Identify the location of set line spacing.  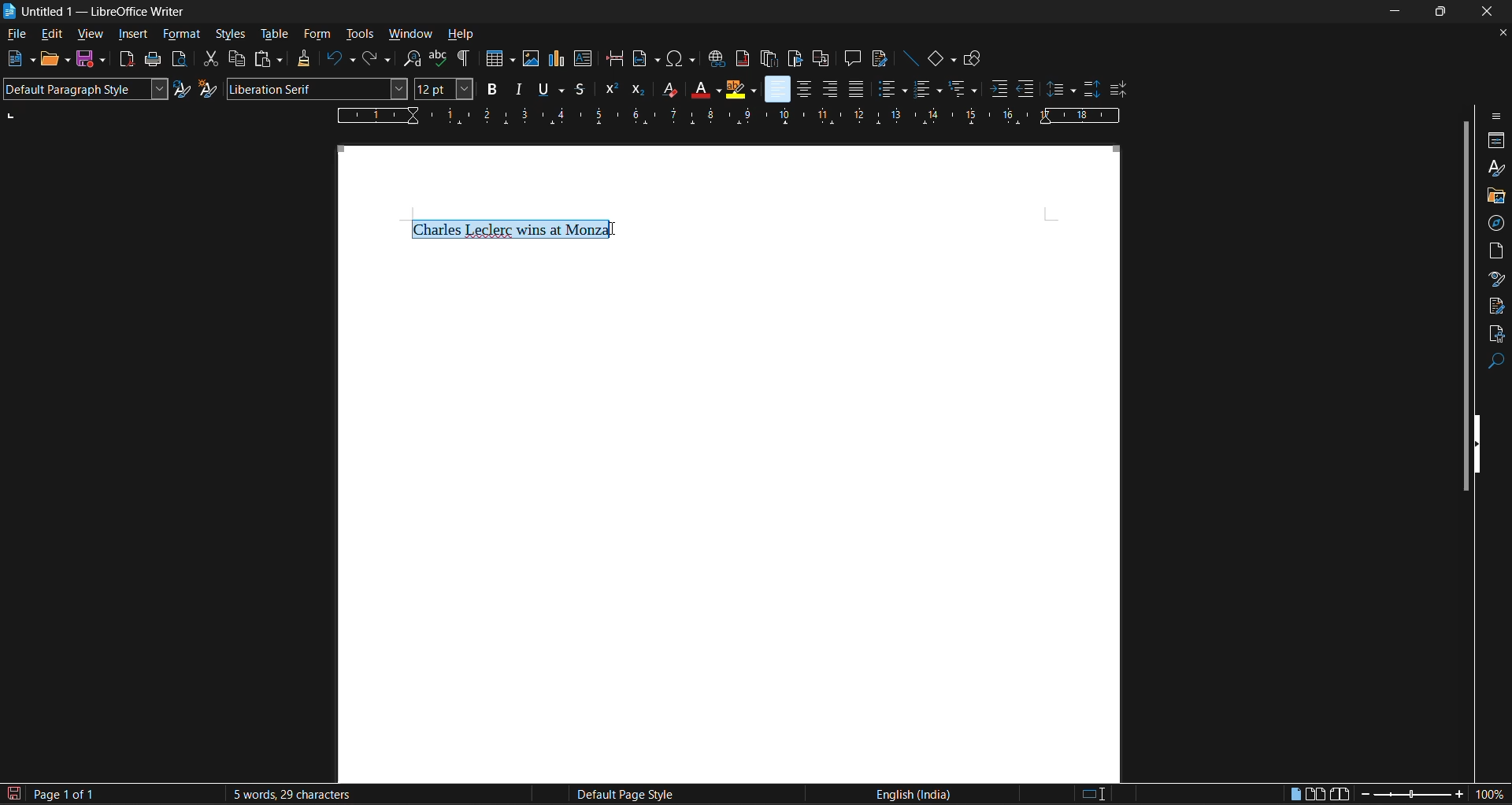
(1058, 88).